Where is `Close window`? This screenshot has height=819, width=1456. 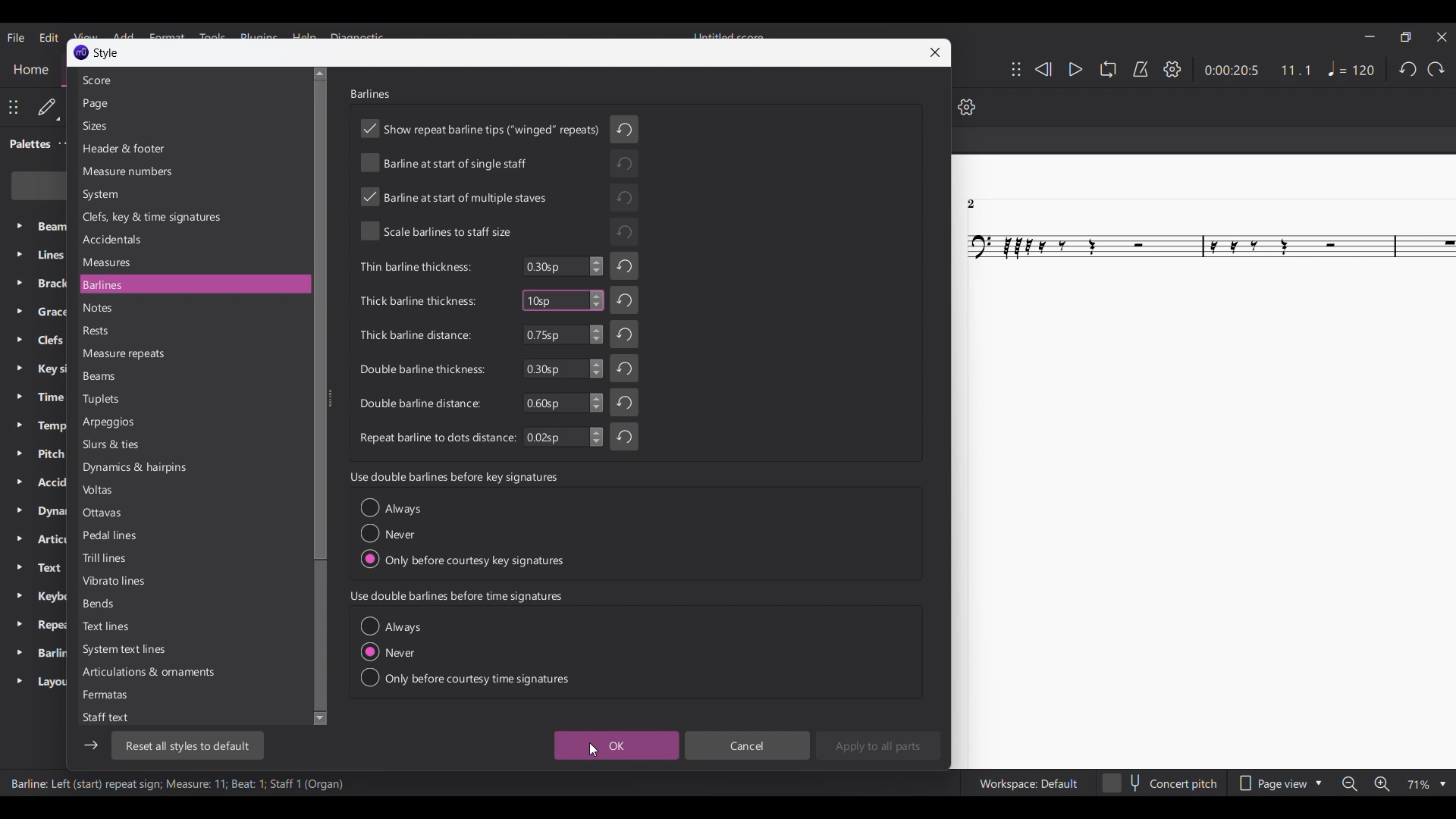 Close window is located at coordinates (935, 52).